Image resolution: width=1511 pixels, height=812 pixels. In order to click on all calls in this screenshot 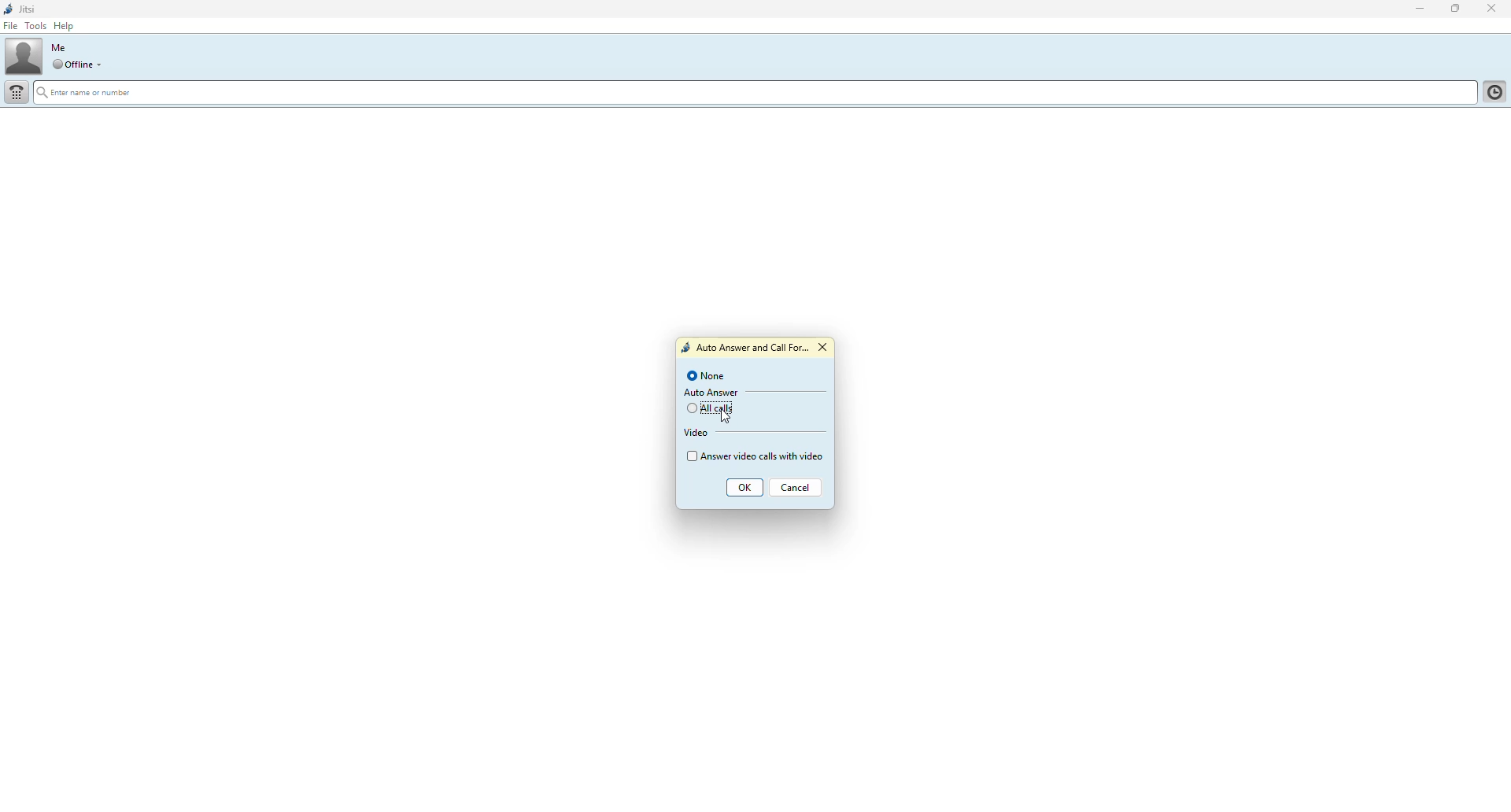, I will do `click(713, 409)`.